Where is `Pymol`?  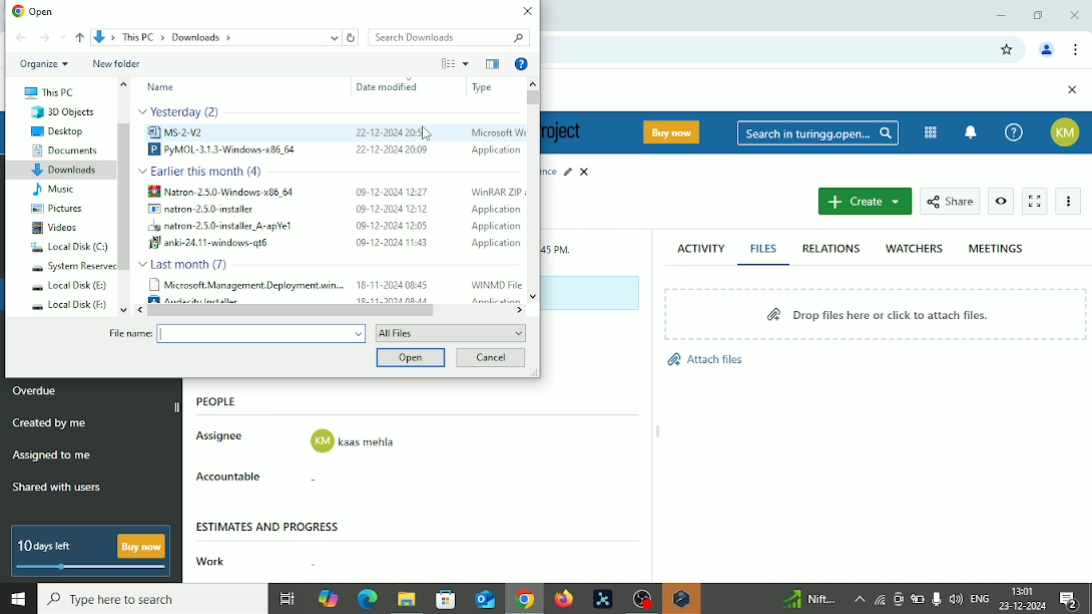 Pymol is located at coordinates (603, 600).